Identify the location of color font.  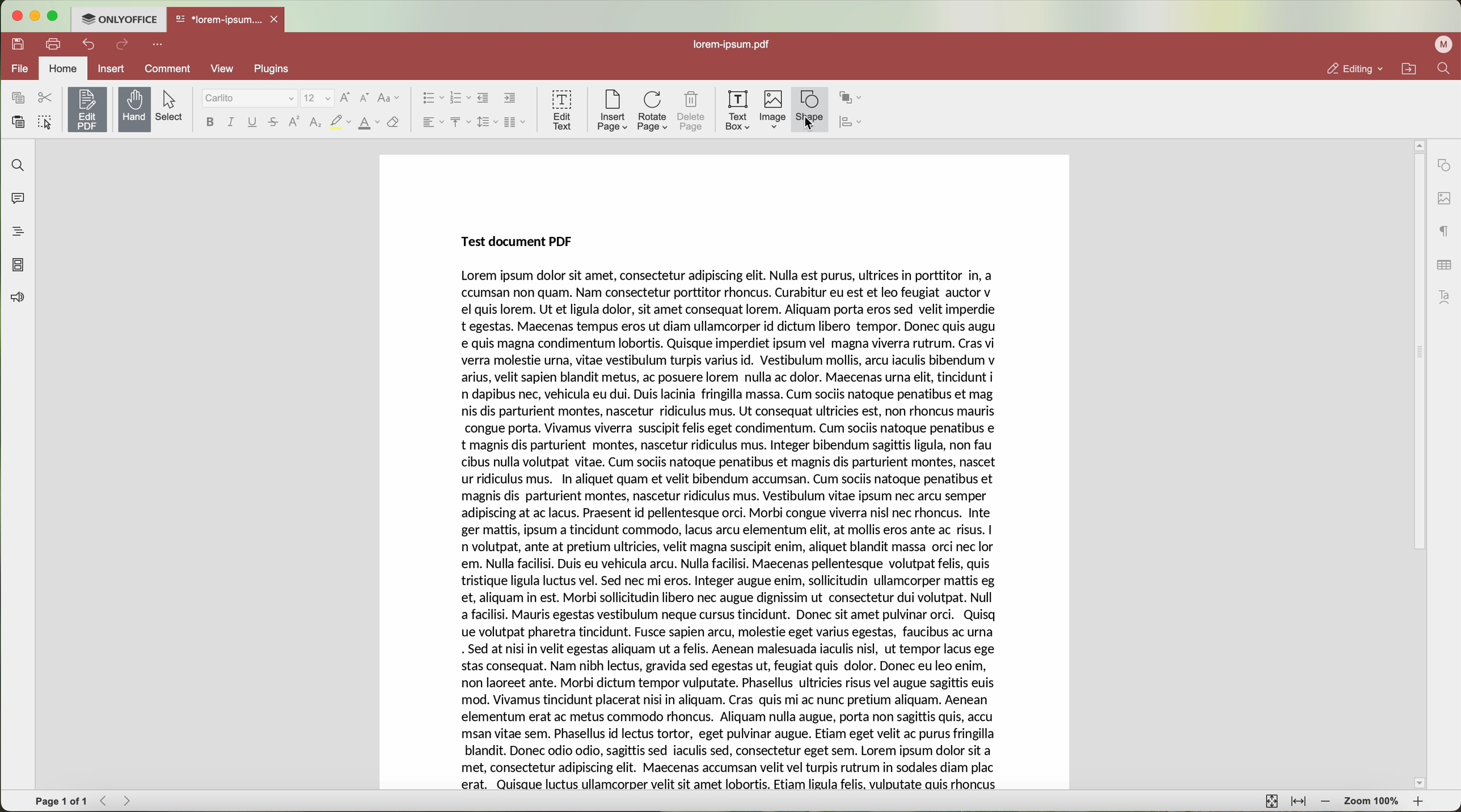
(369, 123).